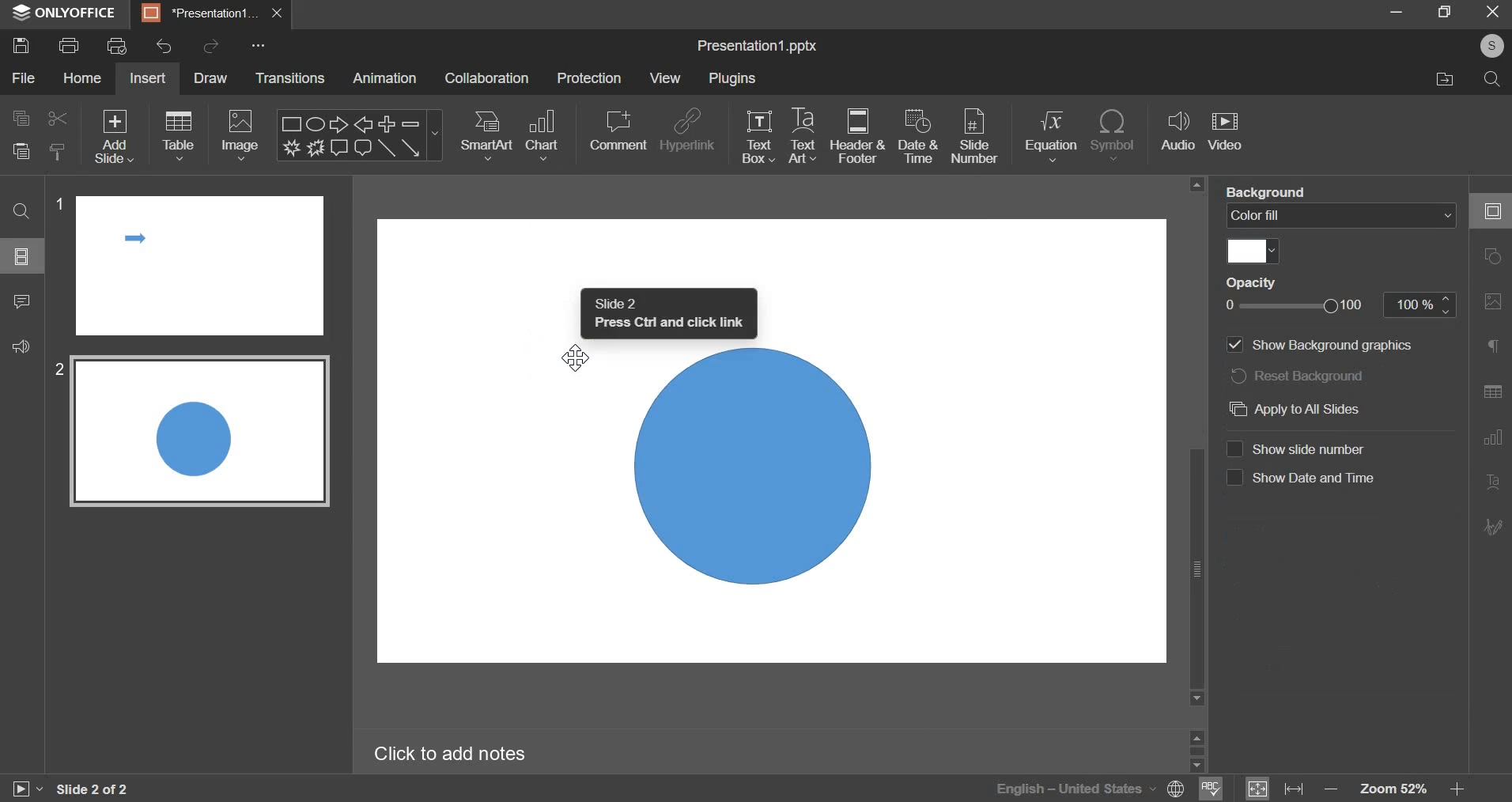  What do you see at coordinates (56, 204) in the screenshot?
I see `1` at bounding box center [56, 204].